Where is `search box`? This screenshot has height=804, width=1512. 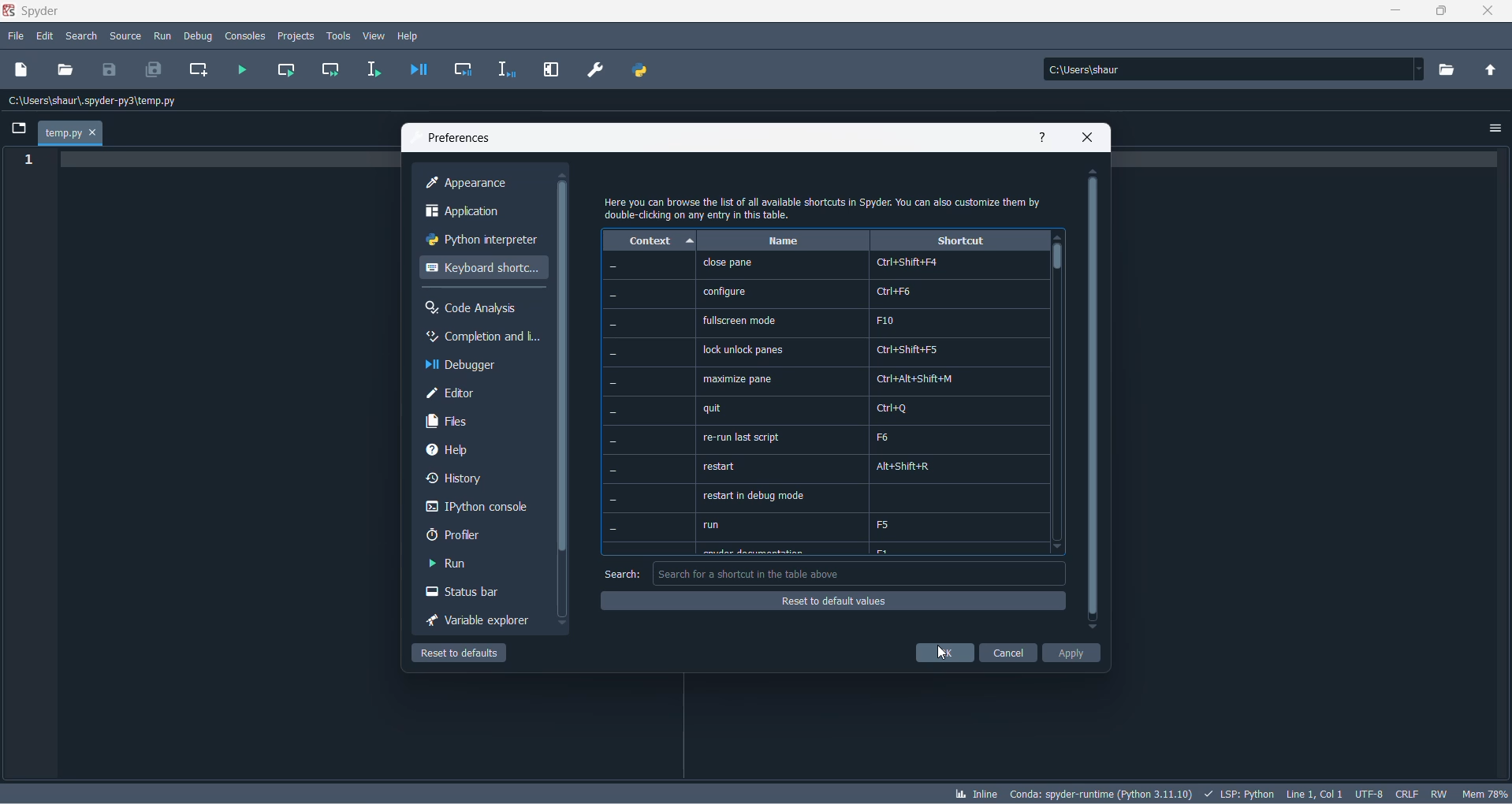
search box is located at coordinates (862, 573).